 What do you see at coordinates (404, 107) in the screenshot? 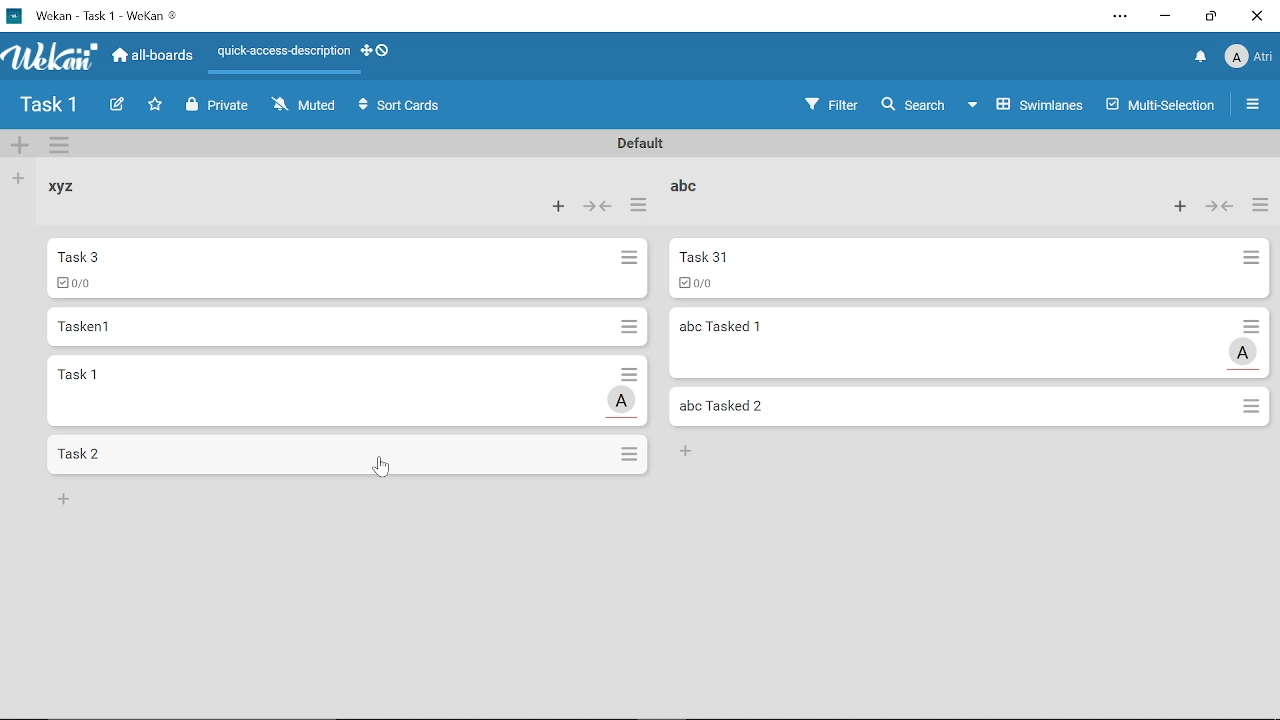
I see `Sort Cards` at bounding box center [404, 107].